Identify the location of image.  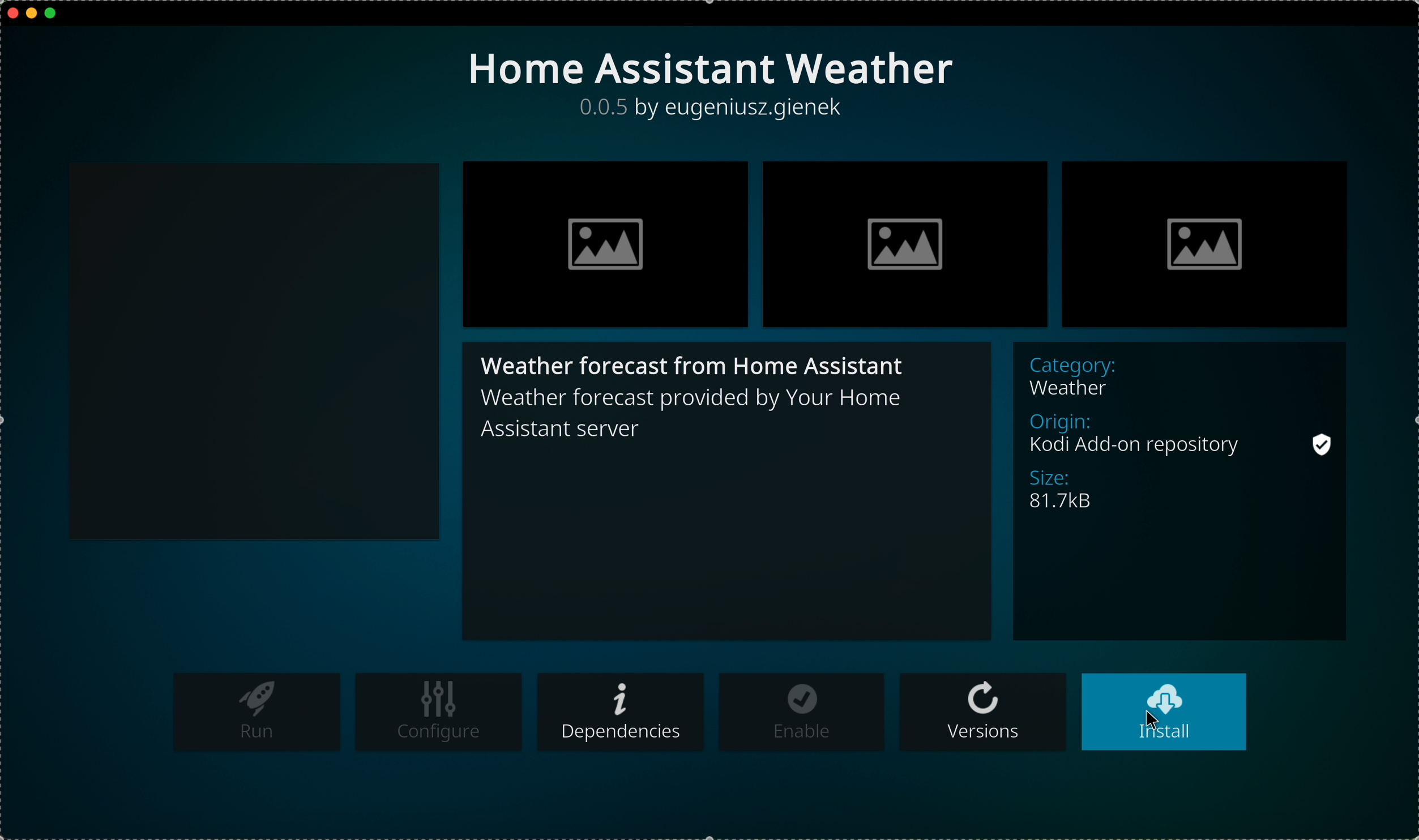
(608, 245).